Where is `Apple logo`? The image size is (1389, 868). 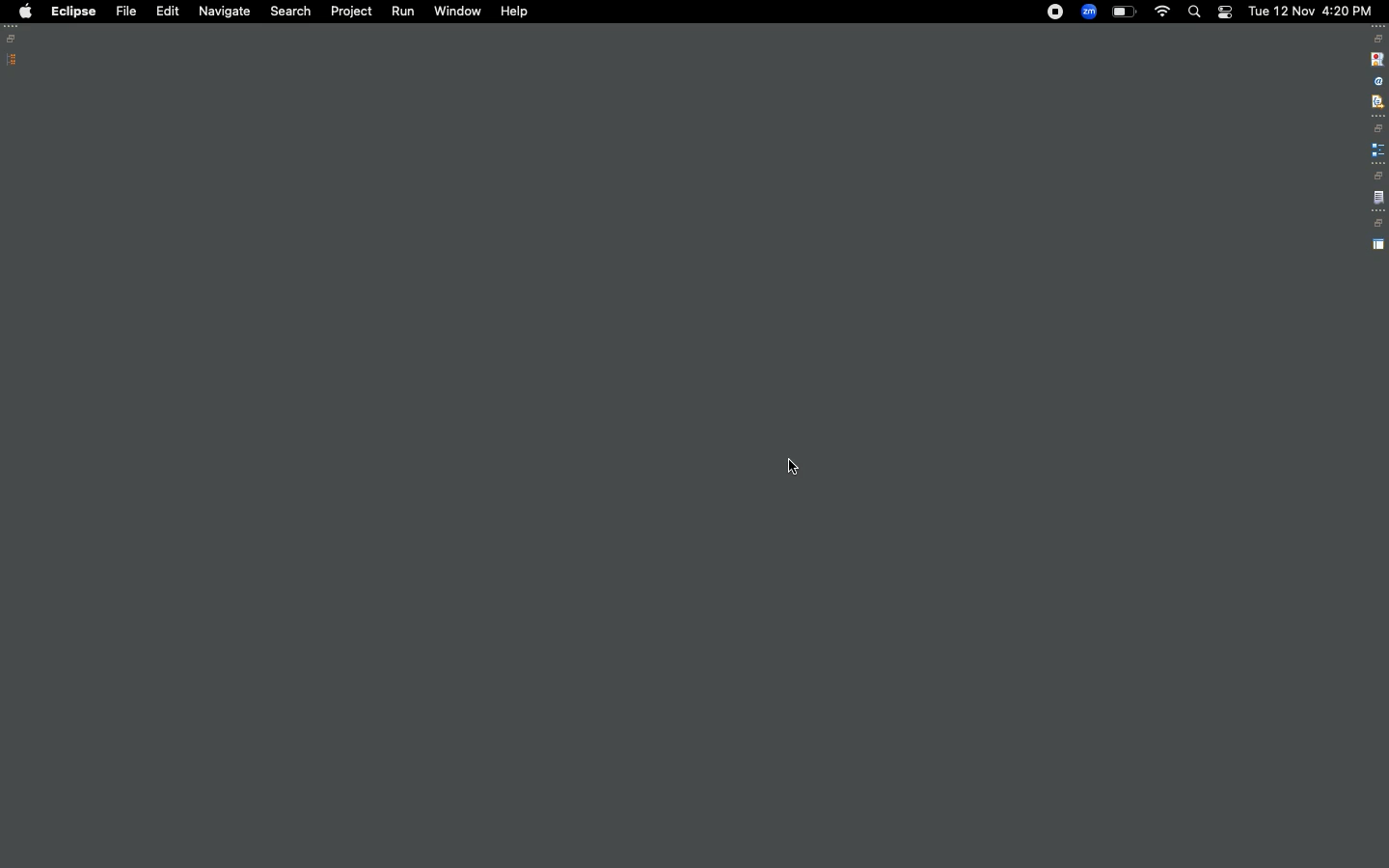 Apple logo is located at coordinates (24, 12).